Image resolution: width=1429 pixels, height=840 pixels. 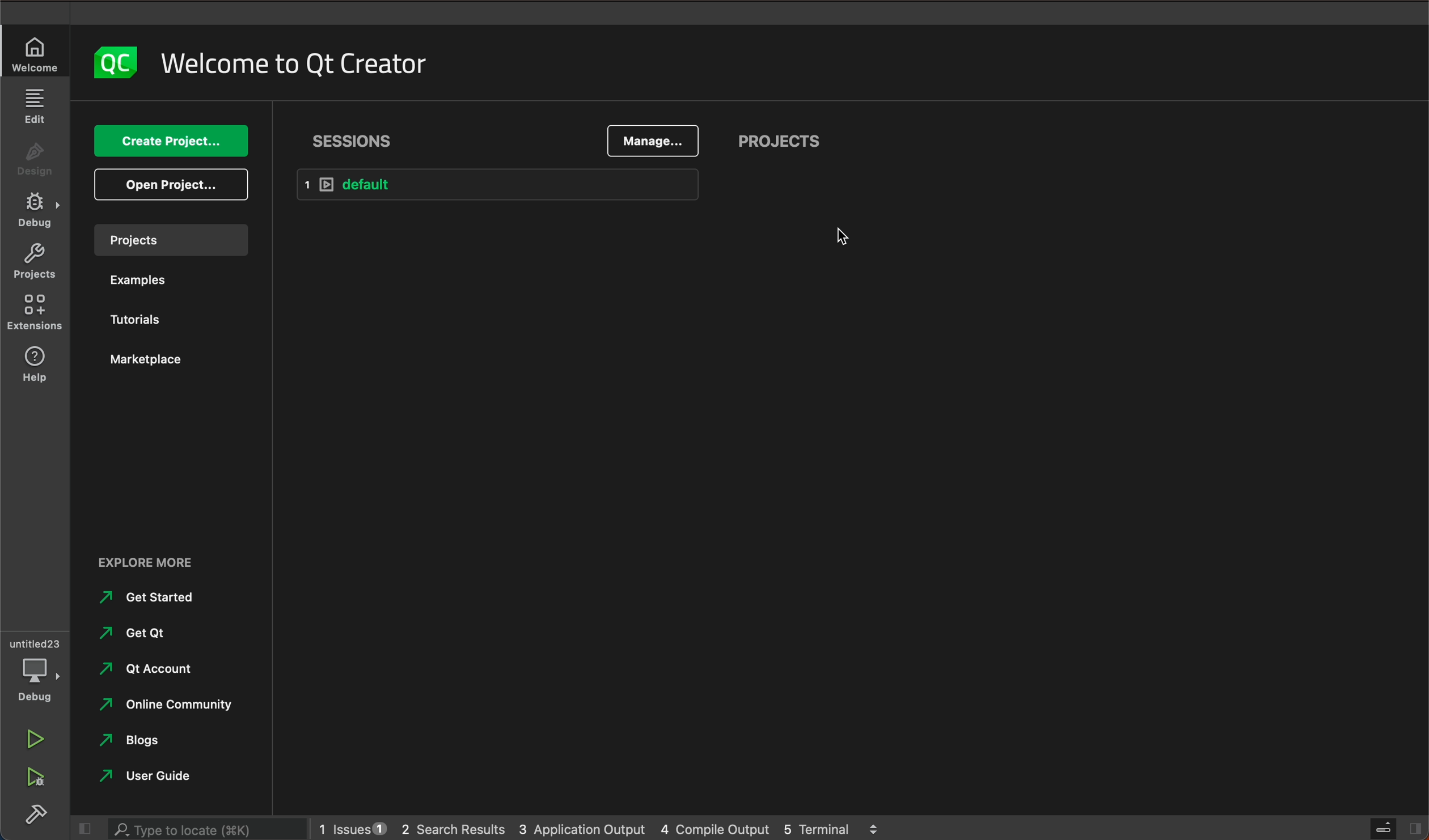 I want to click on project, so click(x=34, y=264).